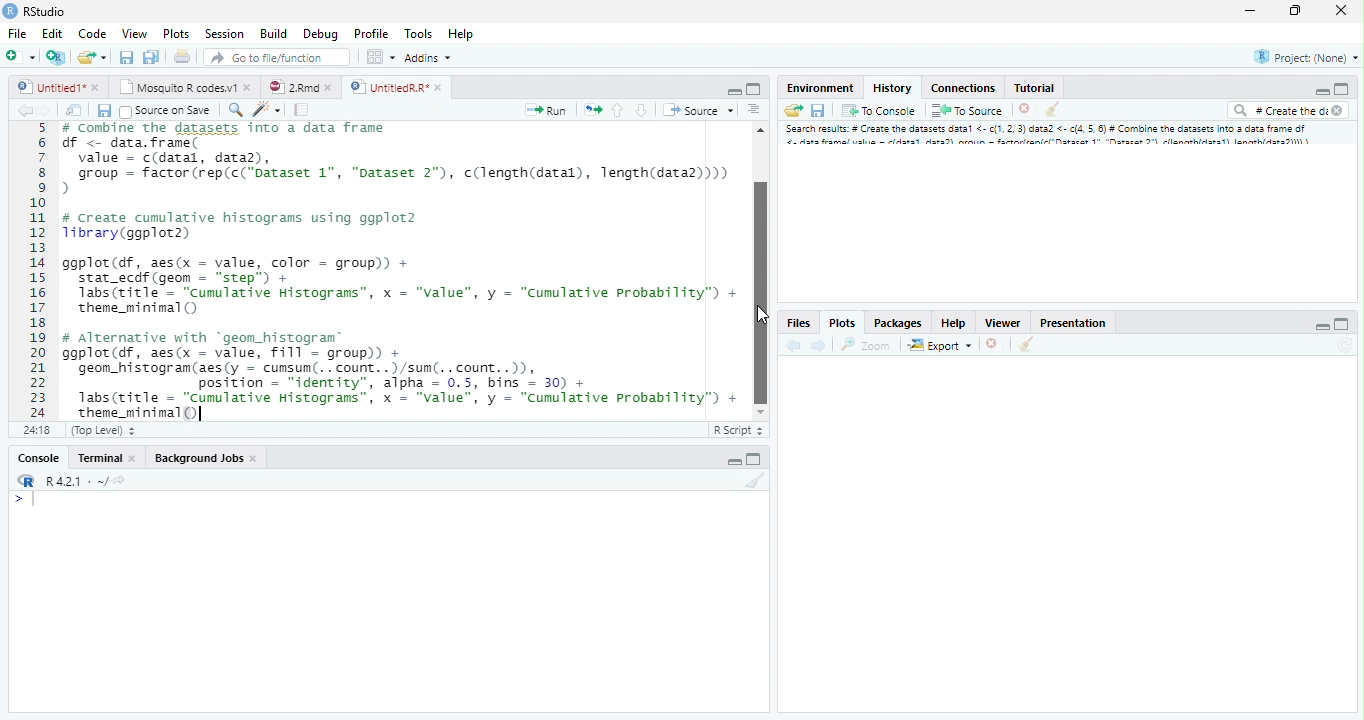 This screenshot has height=720, width=1364. Describe the element at coordinates (40, 269) in the screenshot. I see `Numbers` at that location.